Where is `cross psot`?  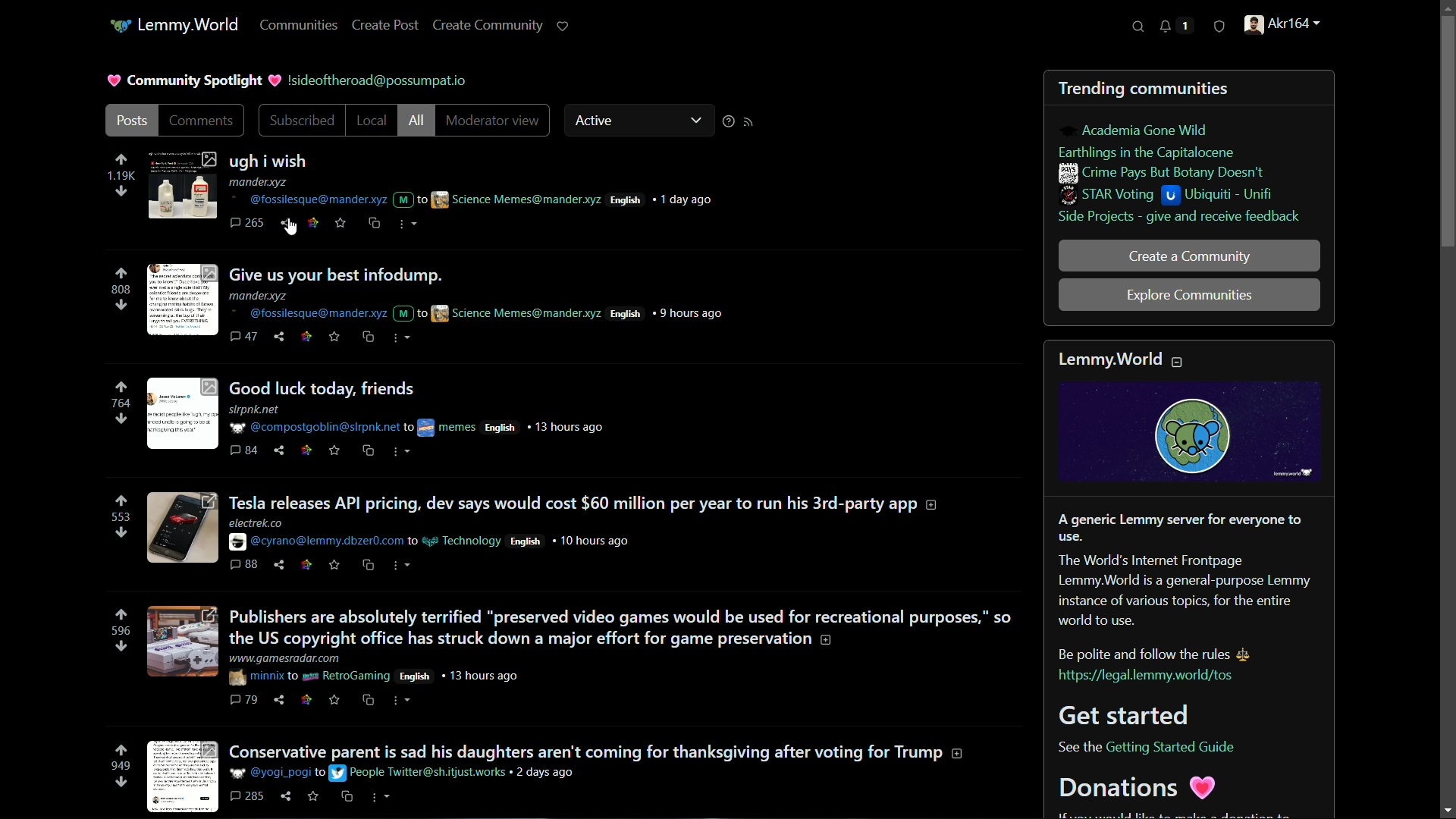 cross psot is located at coordinates (370, 450).